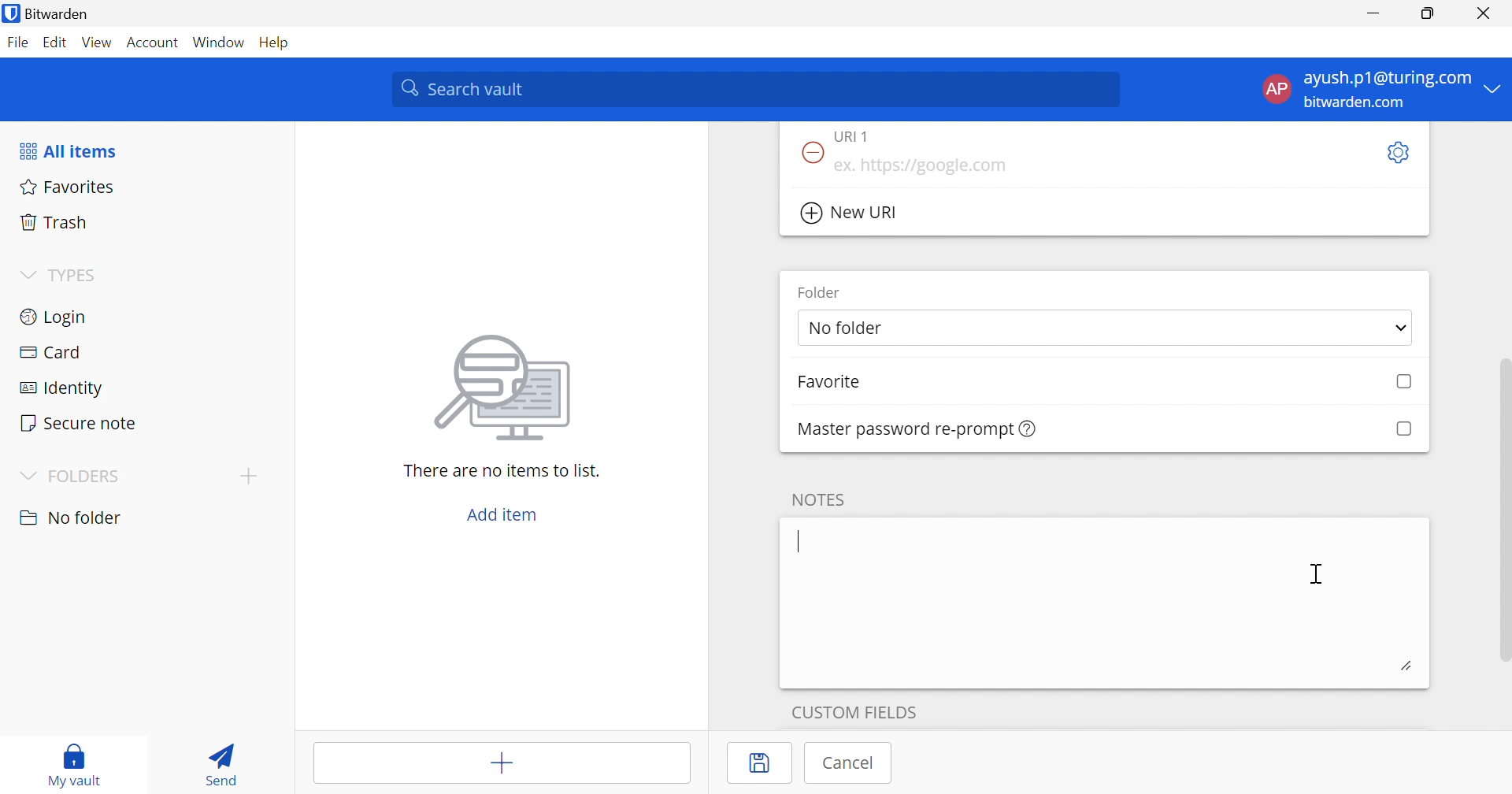  What do you see at coordinates (1402, 330) in the screenshot?
I see `Drop Down` at bounding box center [1402, 330].